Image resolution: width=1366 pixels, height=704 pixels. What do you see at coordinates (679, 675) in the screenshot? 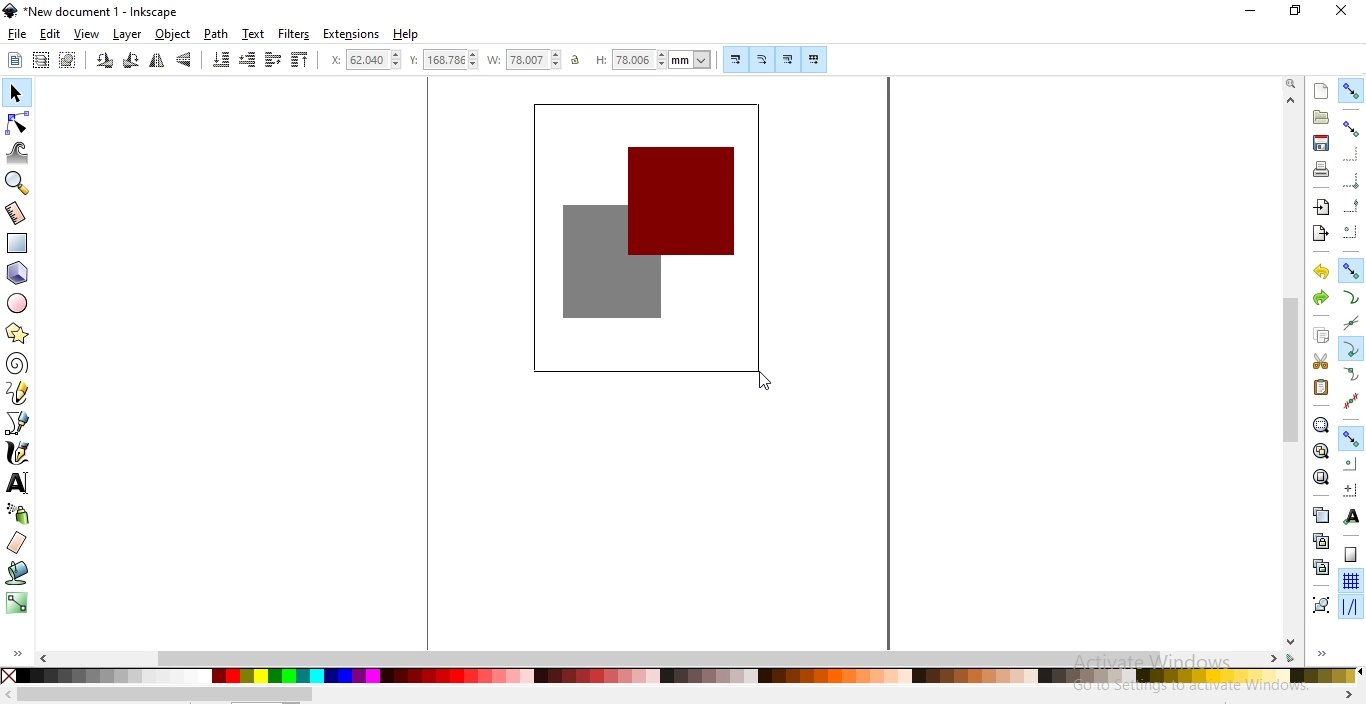
I see `color` at bounding box center [679, 675].